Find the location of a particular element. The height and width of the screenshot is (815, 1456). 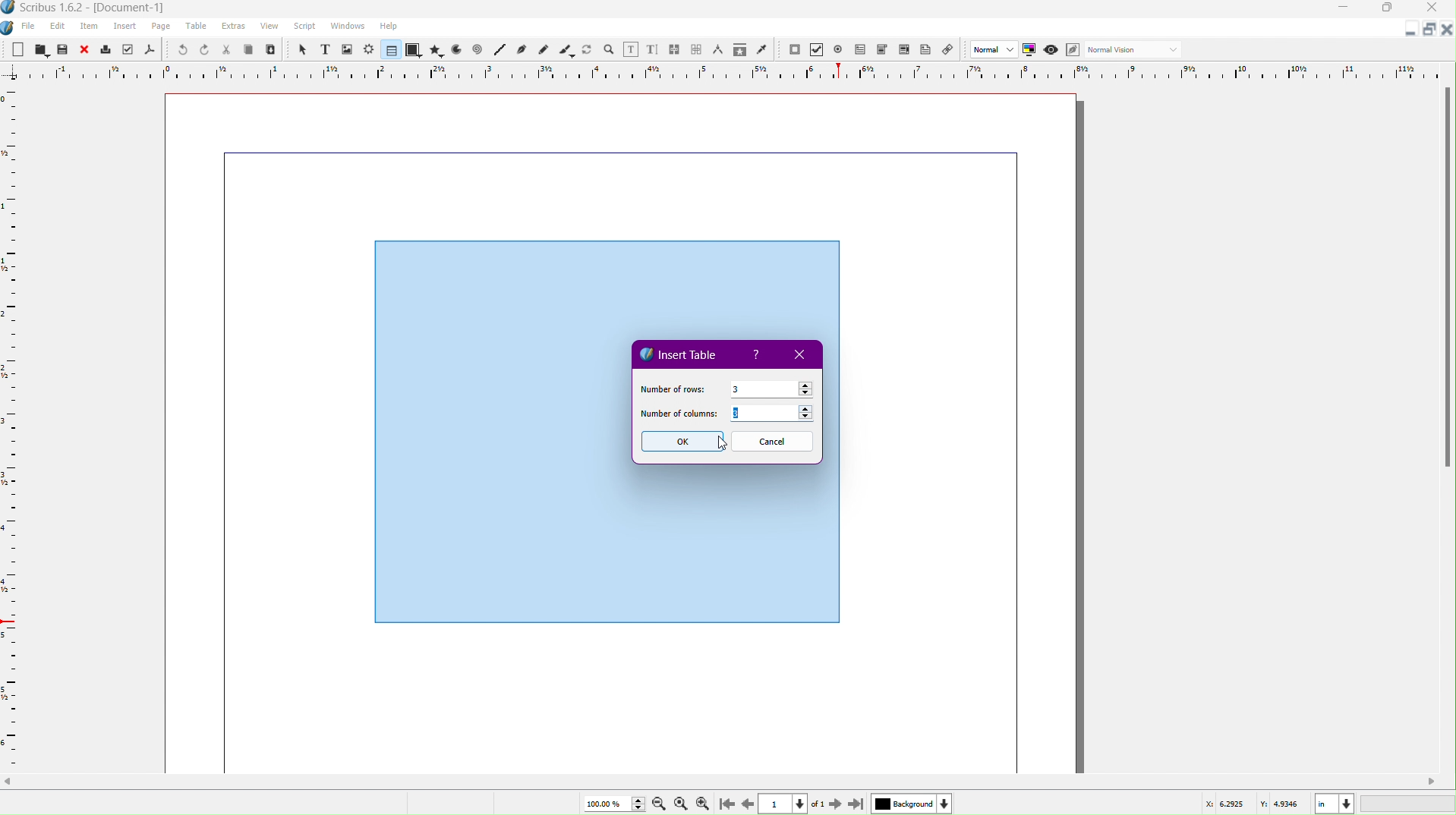

Zoom In is located at coordinates (706, 803).